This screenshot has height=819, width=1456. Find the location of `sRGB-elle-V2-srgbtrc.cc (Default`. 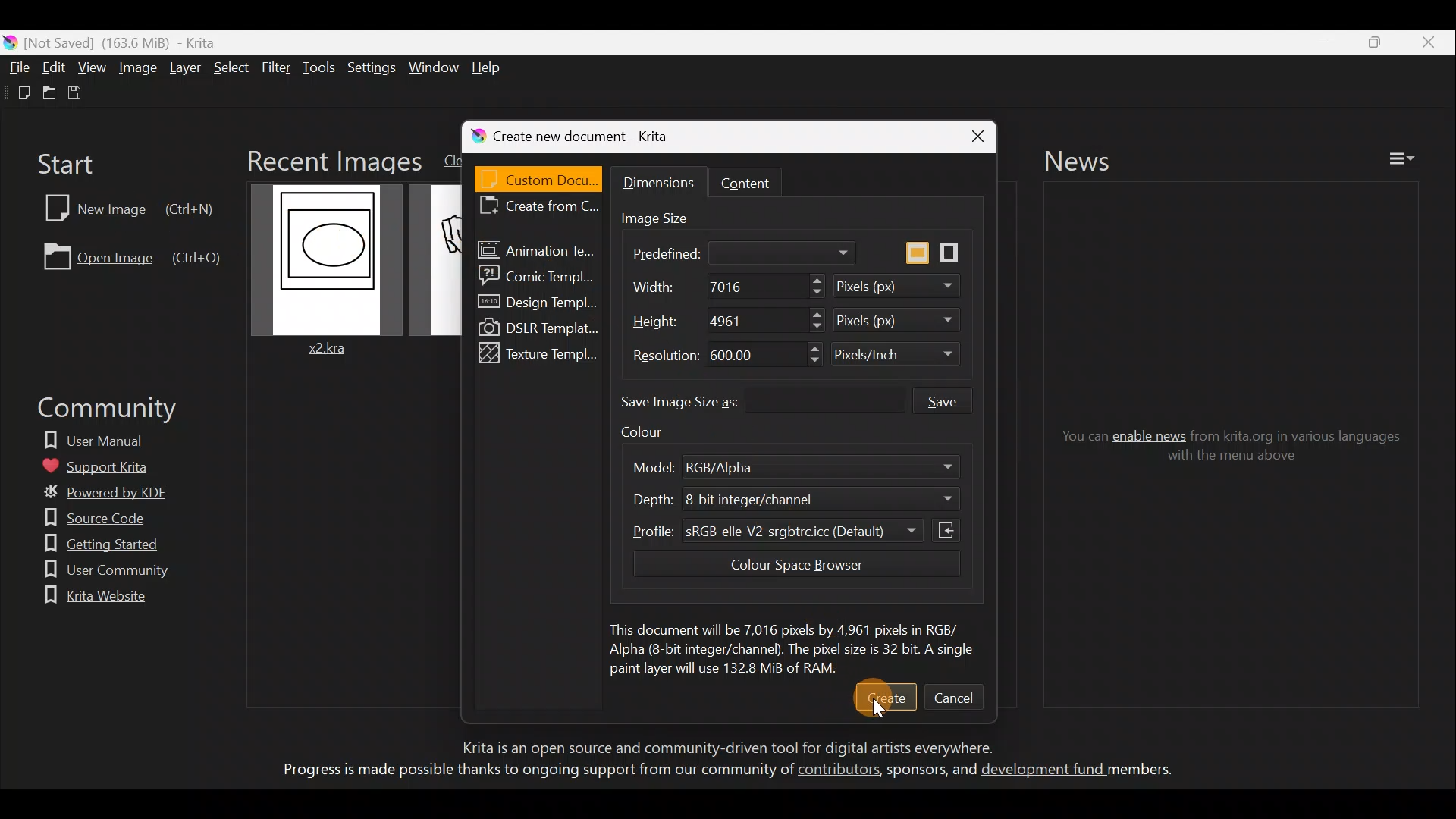

sRGB-elle-V2-srgbtrc.cc (Default is located at coordinates (779, 533).